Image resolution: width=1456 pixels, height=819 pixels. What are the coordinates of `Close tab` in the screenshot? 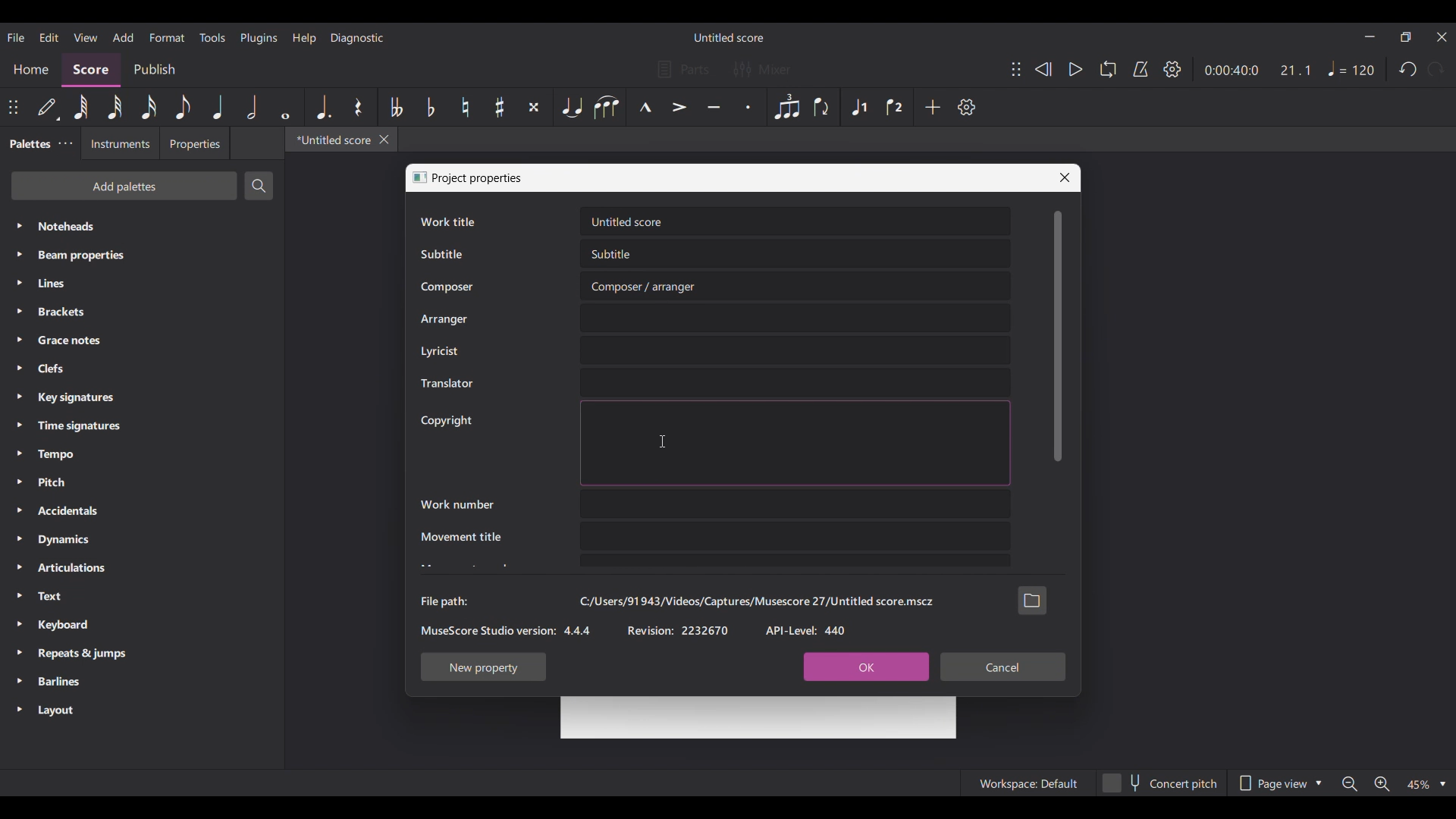 It's located at (384, 140).